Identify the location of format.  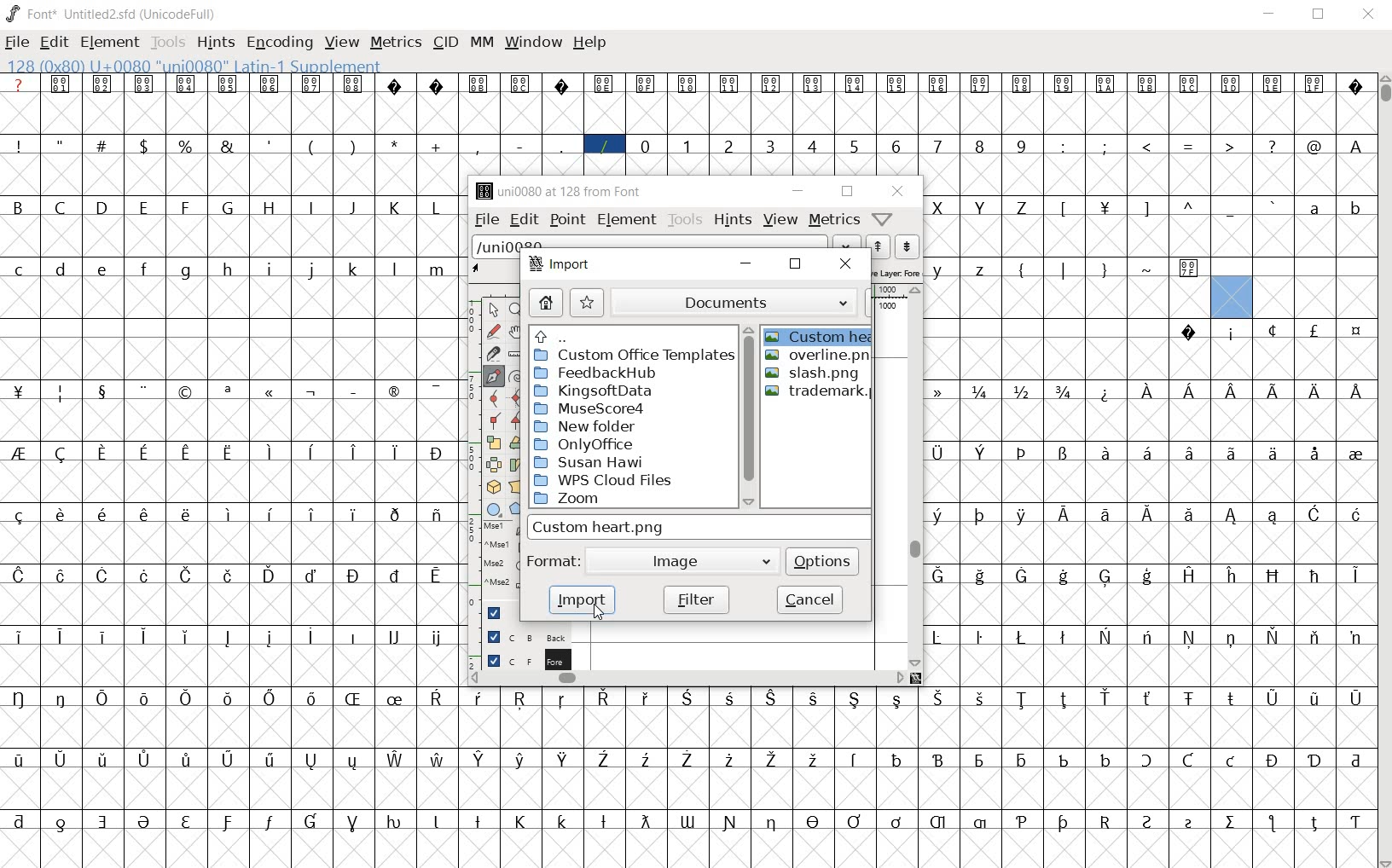
(651, 560).